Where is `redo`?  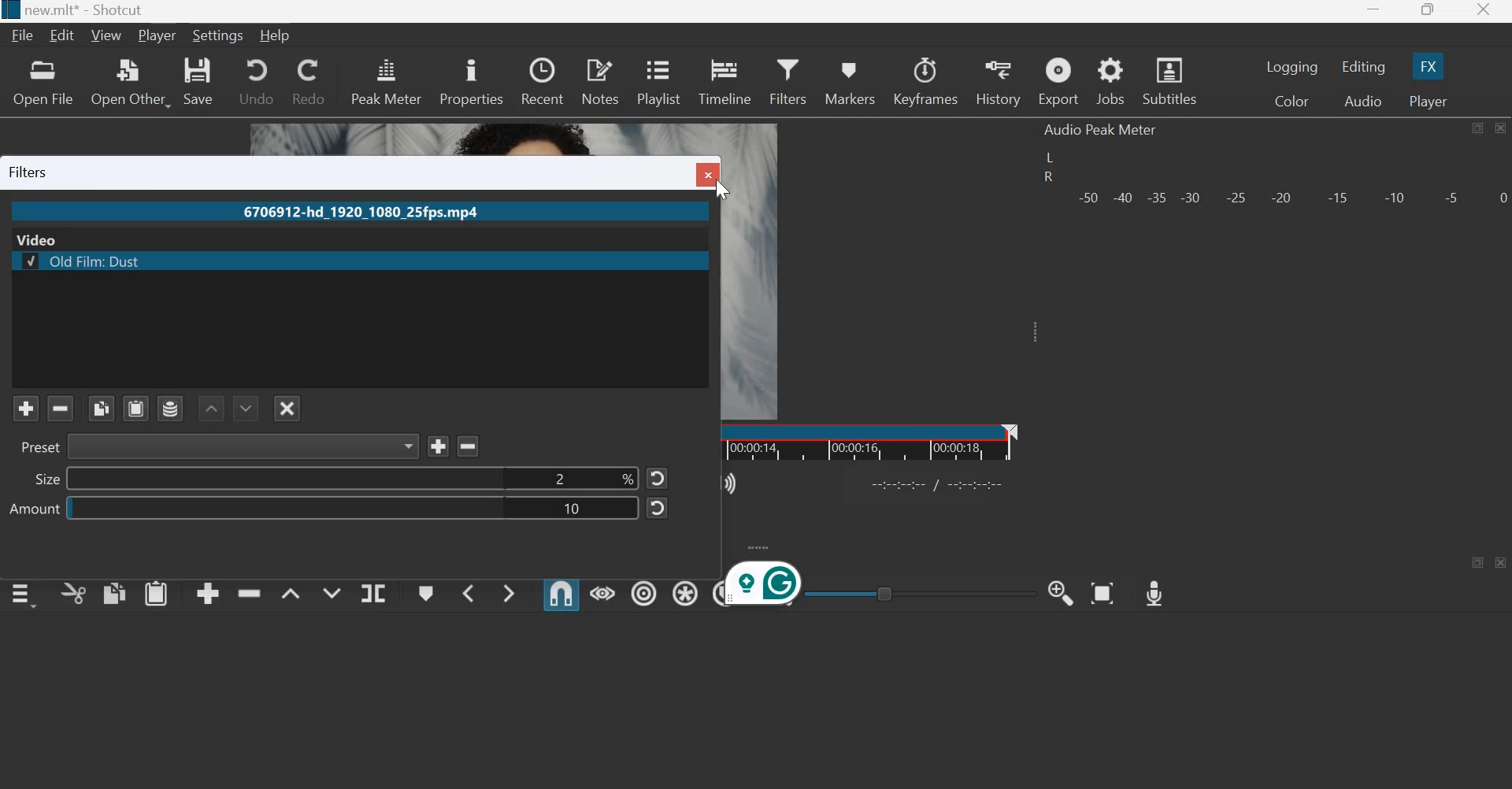
redo is located at coordinates (307, 80).